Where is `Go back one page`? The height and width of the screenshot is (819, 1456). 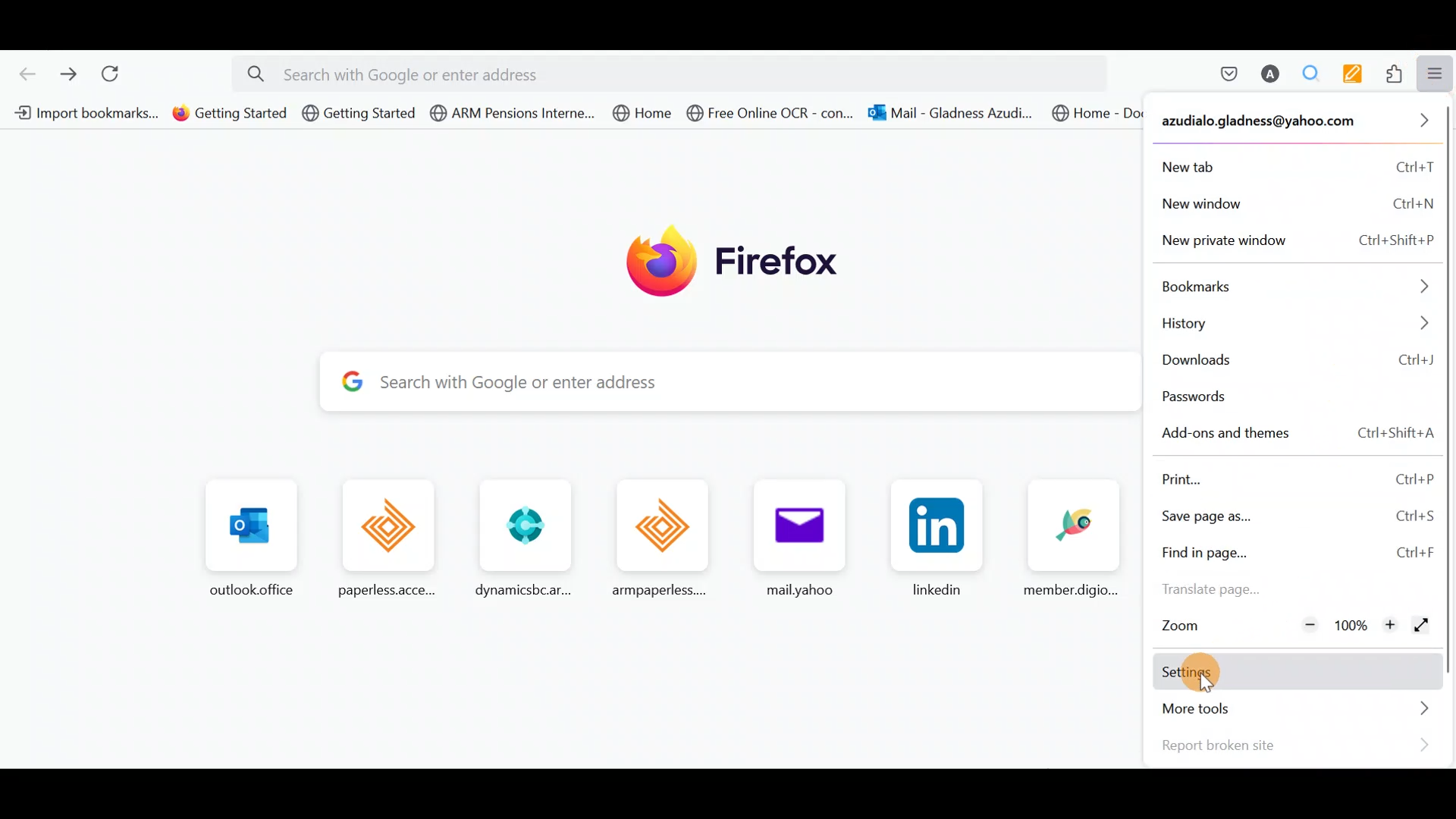
Go back one page is located at coordinates (24, 72).